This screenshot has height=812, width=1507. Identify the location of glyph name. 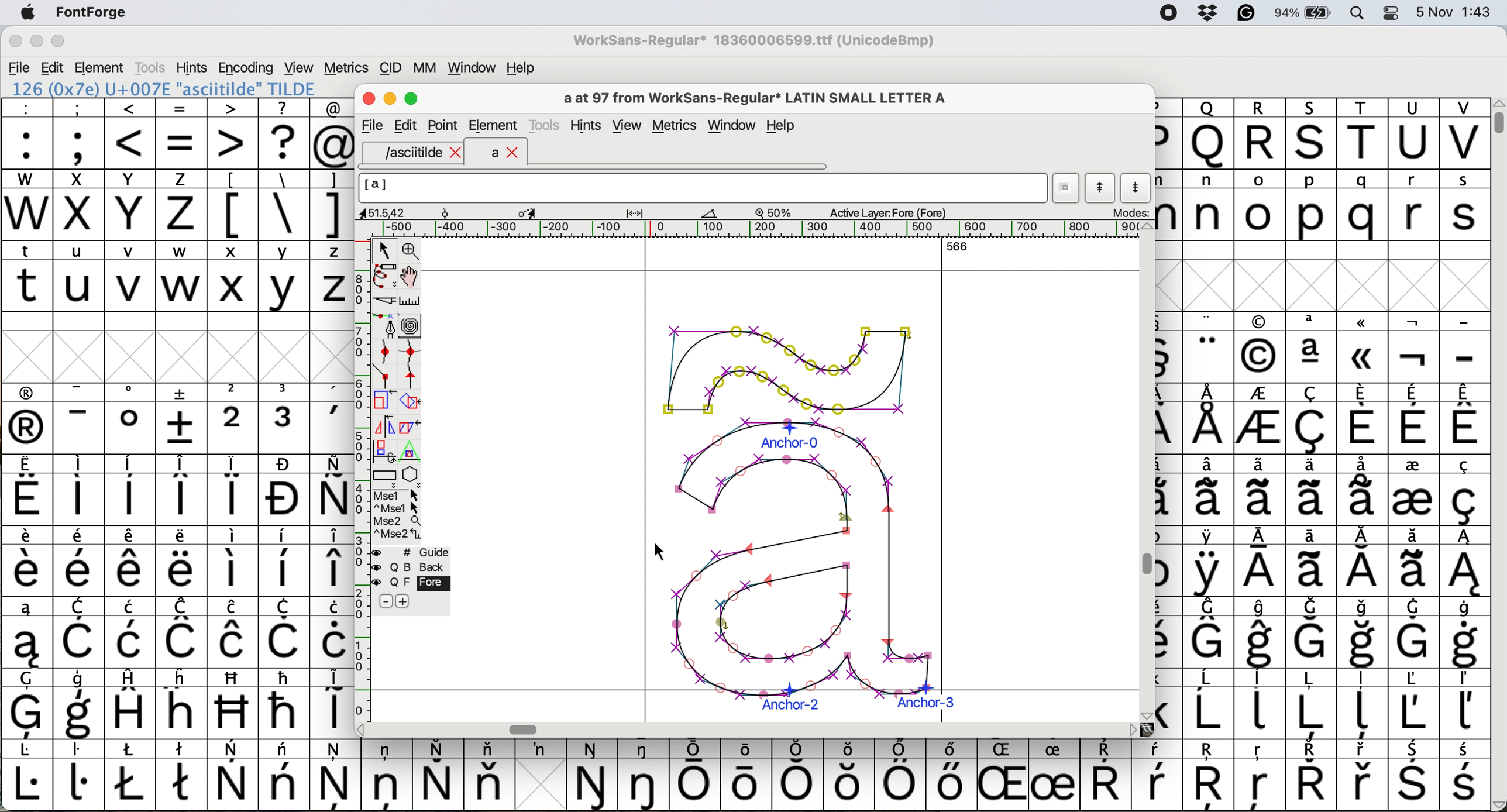
(753, 98).